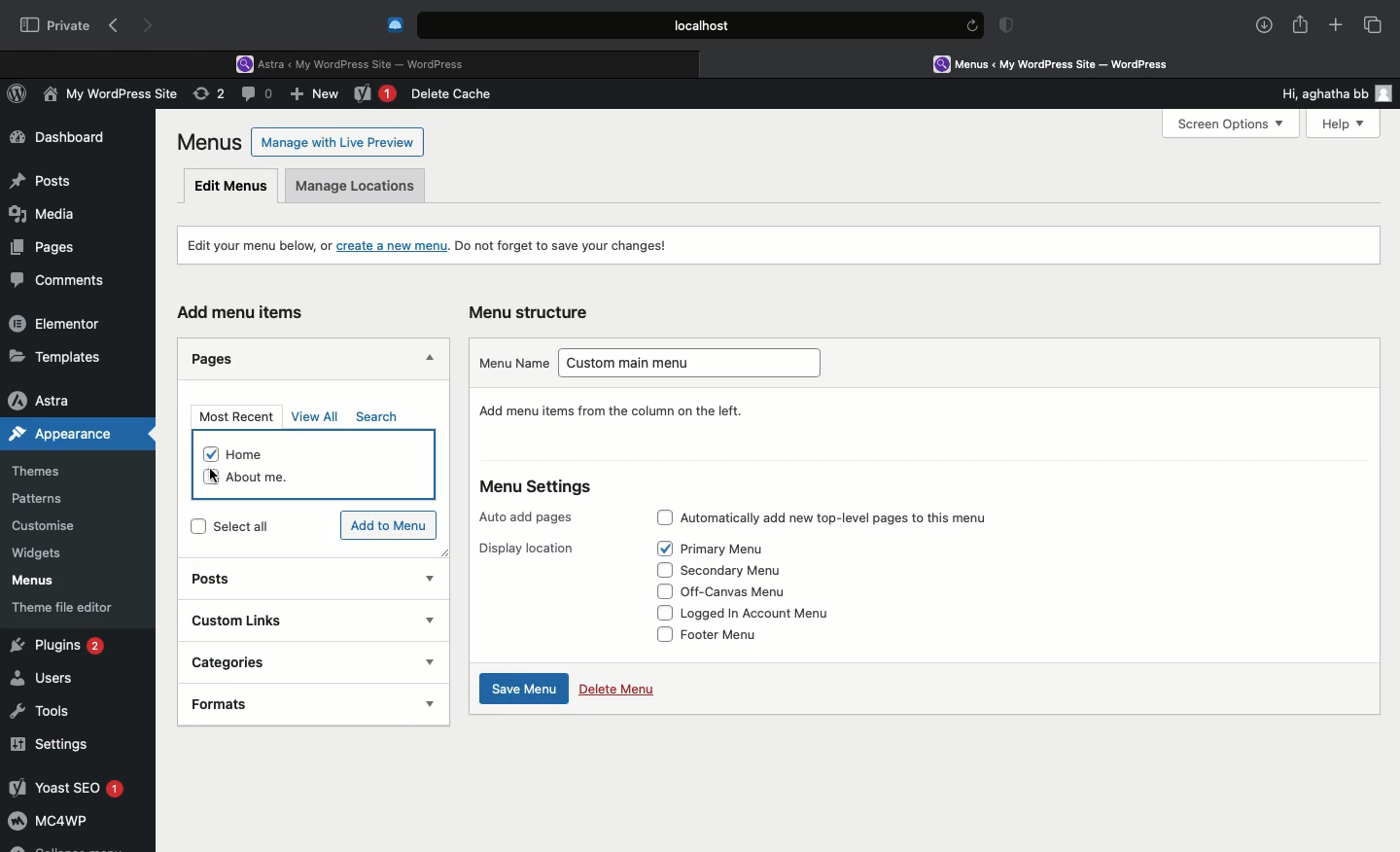 This screenshot has width=1400, height=852. Describe the element at coordinates (58, 323) in the screenshot. I see `Elementor` at that location.